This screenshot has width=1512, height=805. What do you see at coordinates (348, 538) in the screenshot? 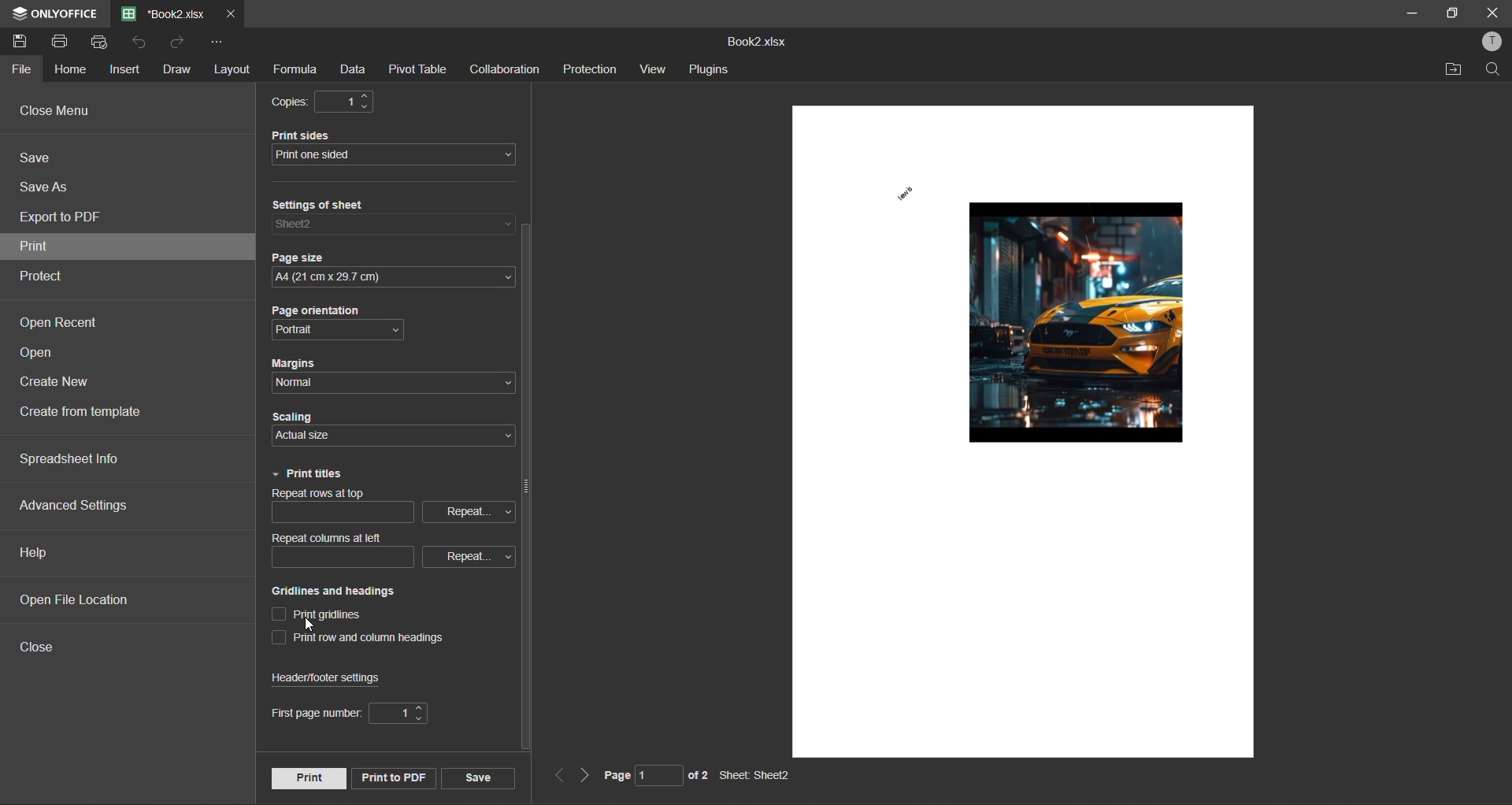
I see `repeat columns at left` at bounding box center [348, 538].